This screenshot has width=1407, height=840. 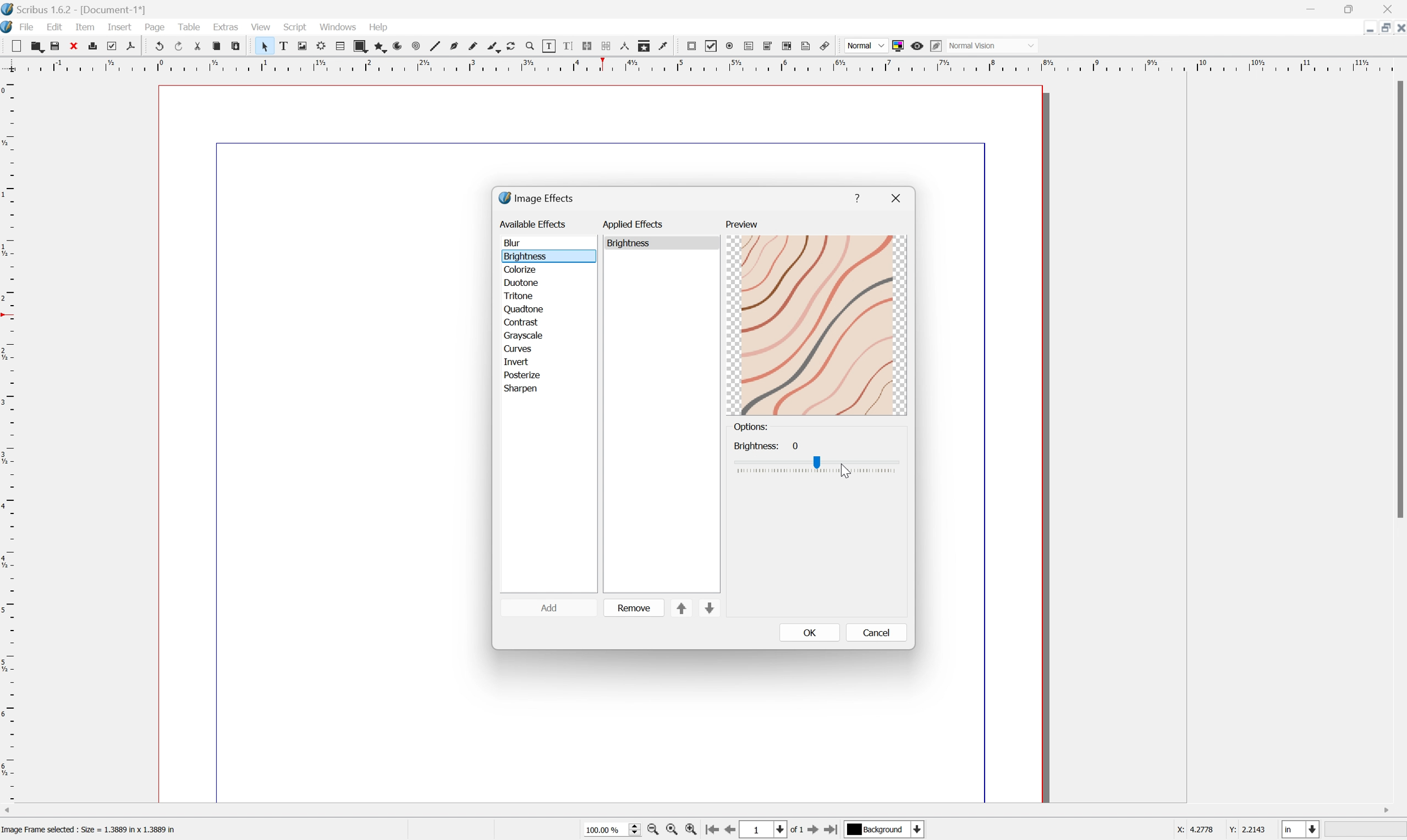 I want to click on curves, so click(x=516, y=347).